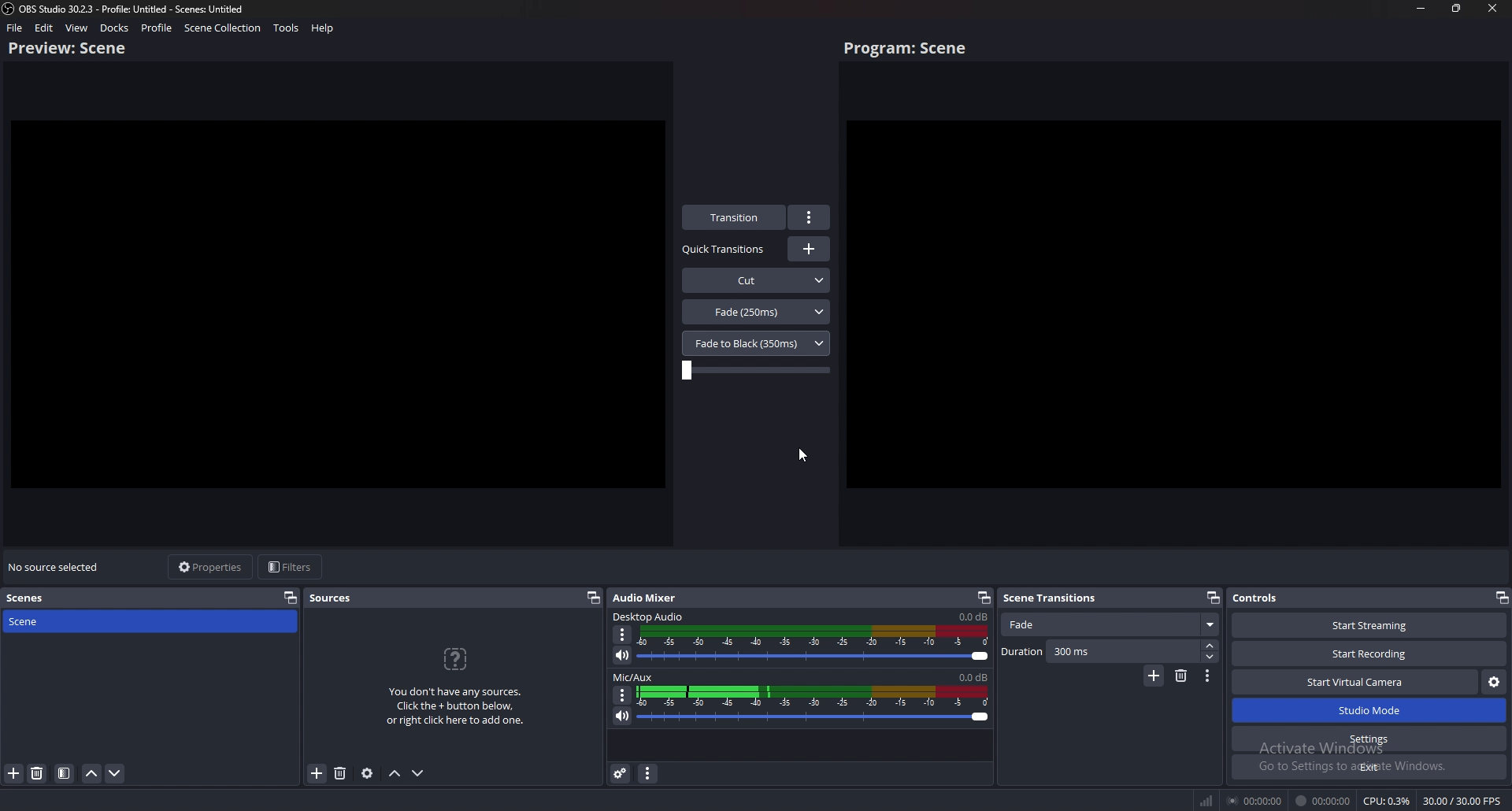 Image resolution: width=1512 pixels, height=811 pixels. I want to click on options, so click(810, 217).